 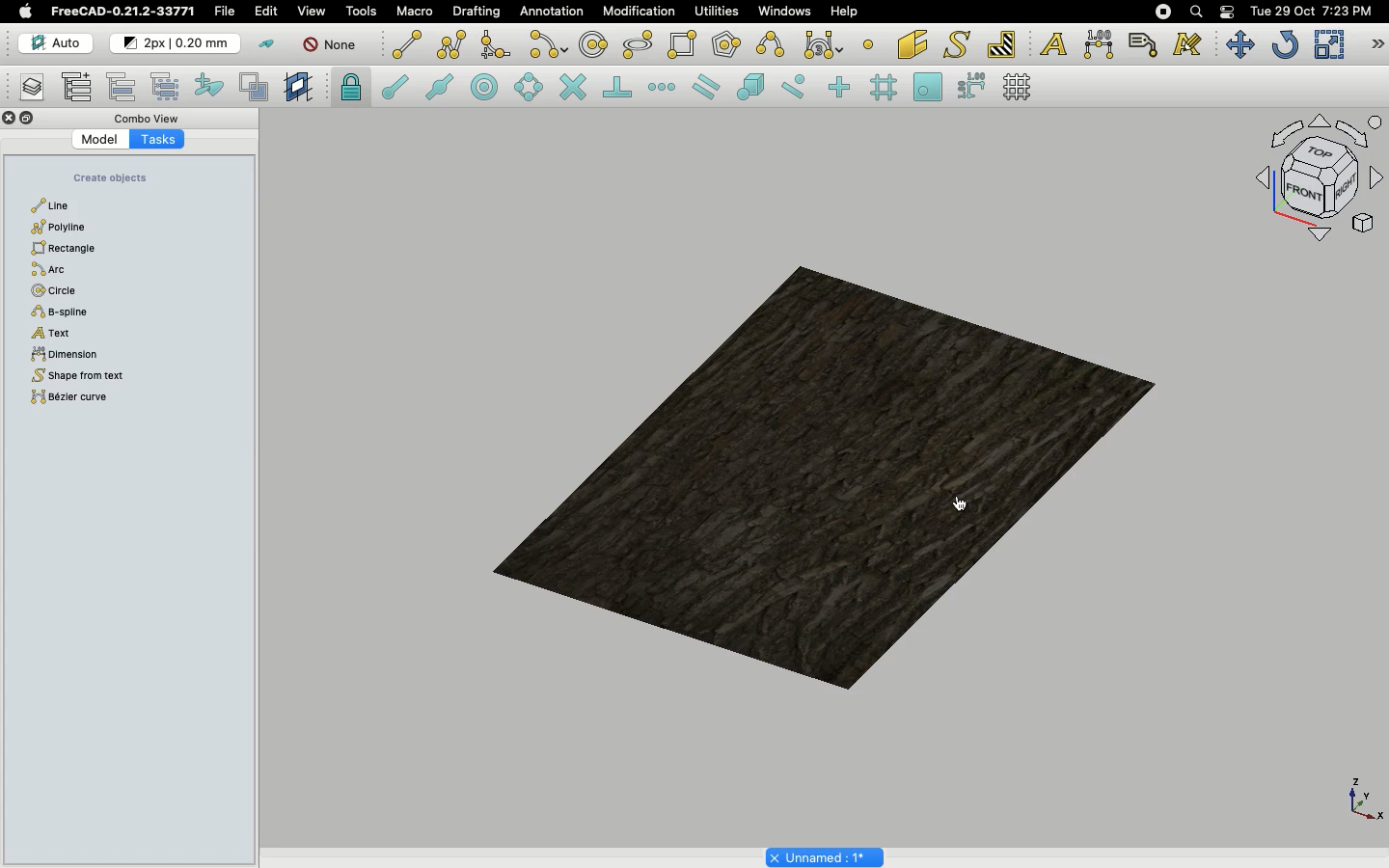 What do you see at coordinates (267, 13) in the screenshot?
I see `Edit` at bounding box center [267, 13].